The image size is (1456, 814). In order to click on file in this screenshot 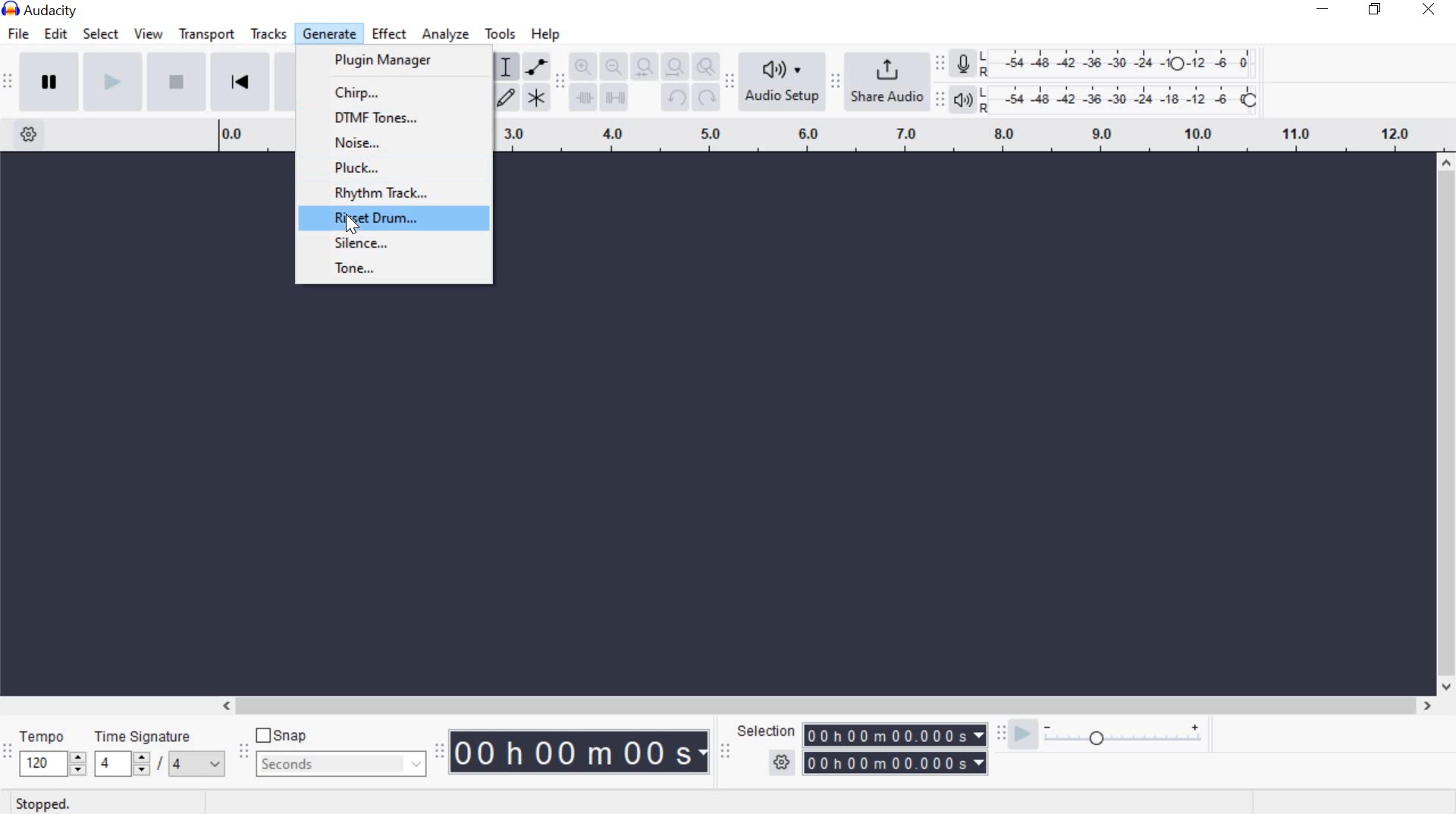, I will do `click(17, 35)`.